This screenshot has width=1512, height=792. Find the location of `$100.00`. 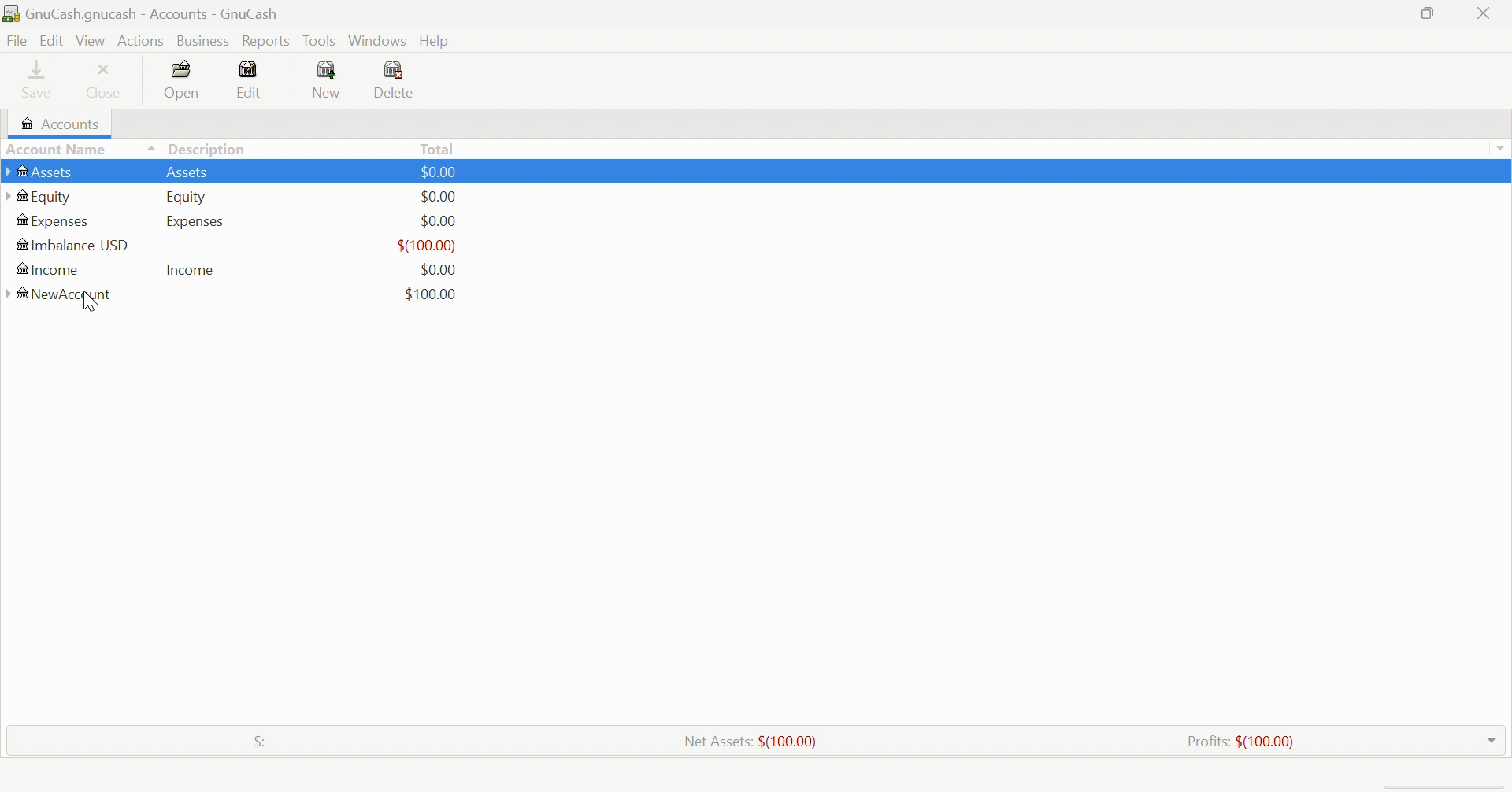

$100.00 is located at coordinates (433, 294).